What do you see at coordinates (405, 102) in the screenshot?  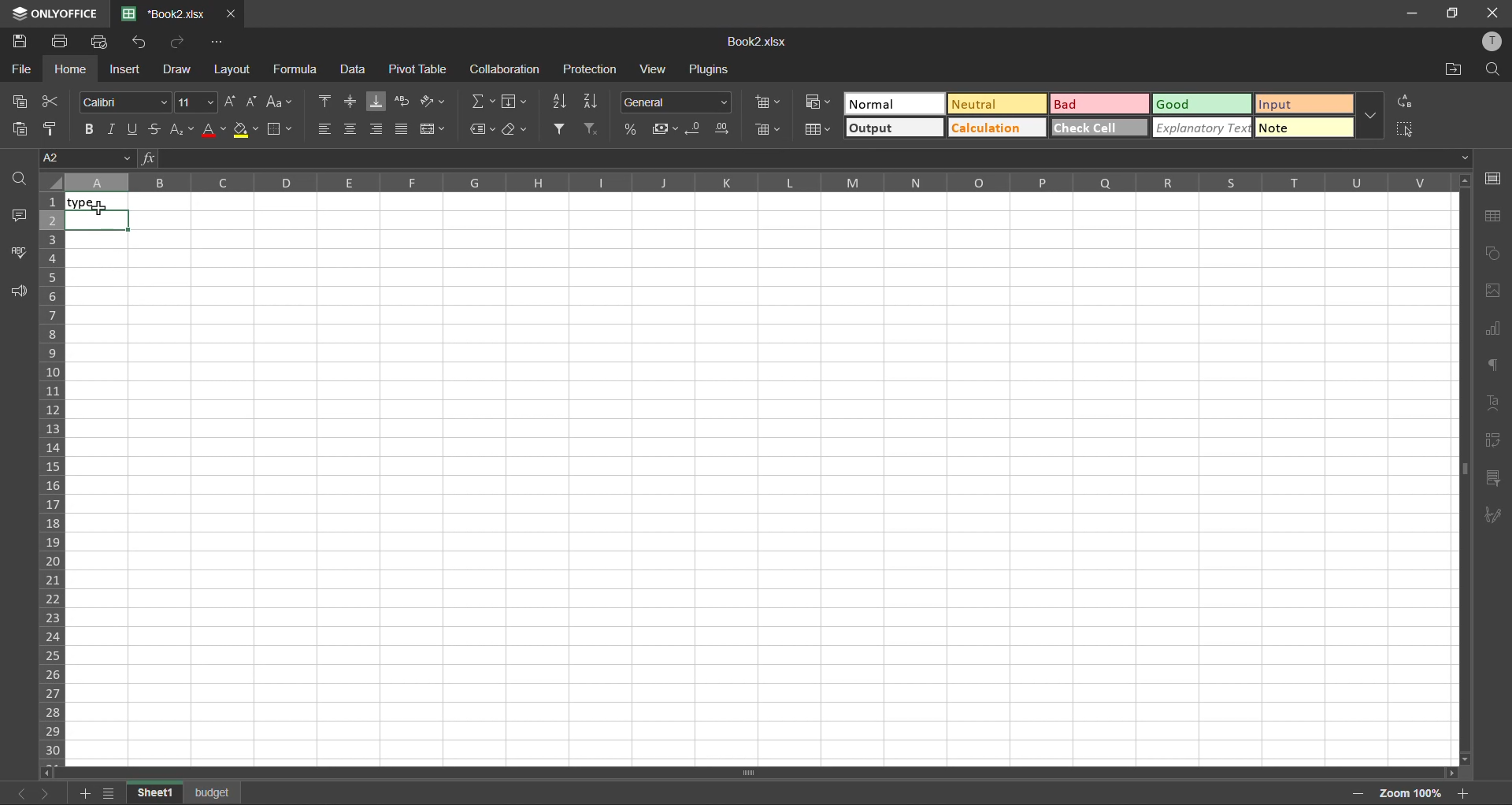 I see `wrap text` at bounding box center [405, 102].